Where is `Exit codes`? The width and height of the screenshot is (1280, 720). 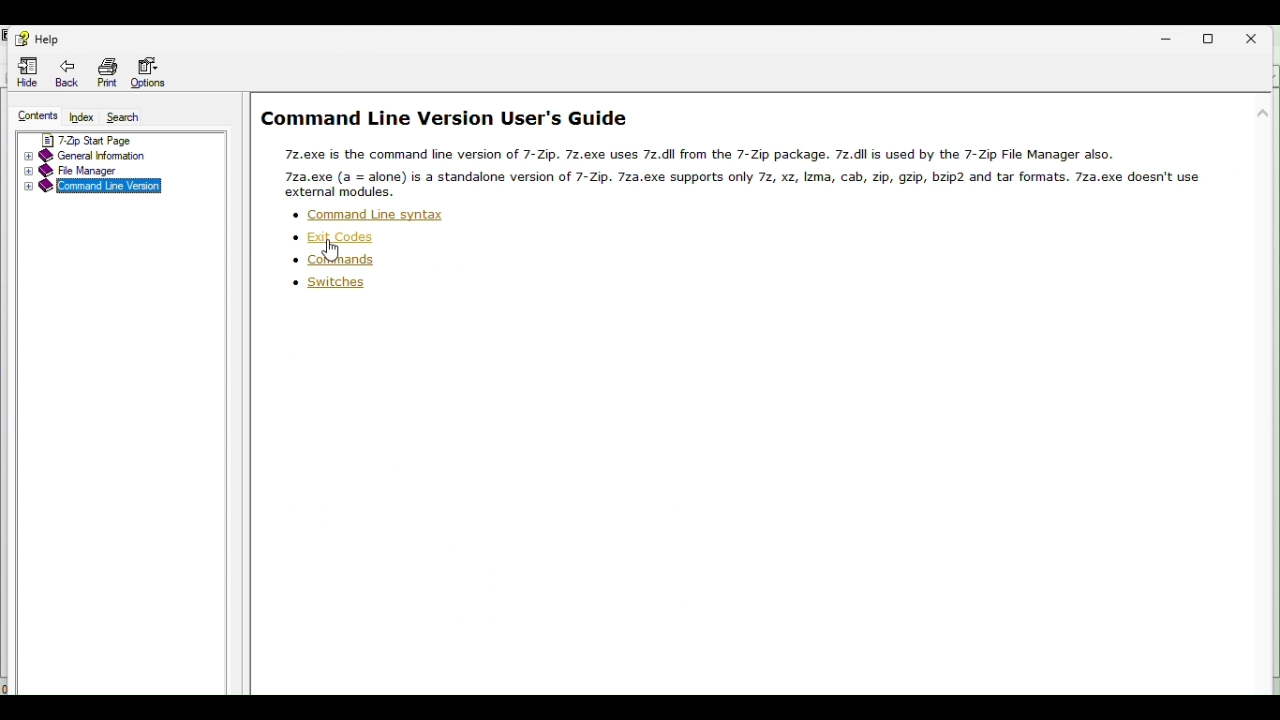 Exit codes is located at coordinates (347, 238).